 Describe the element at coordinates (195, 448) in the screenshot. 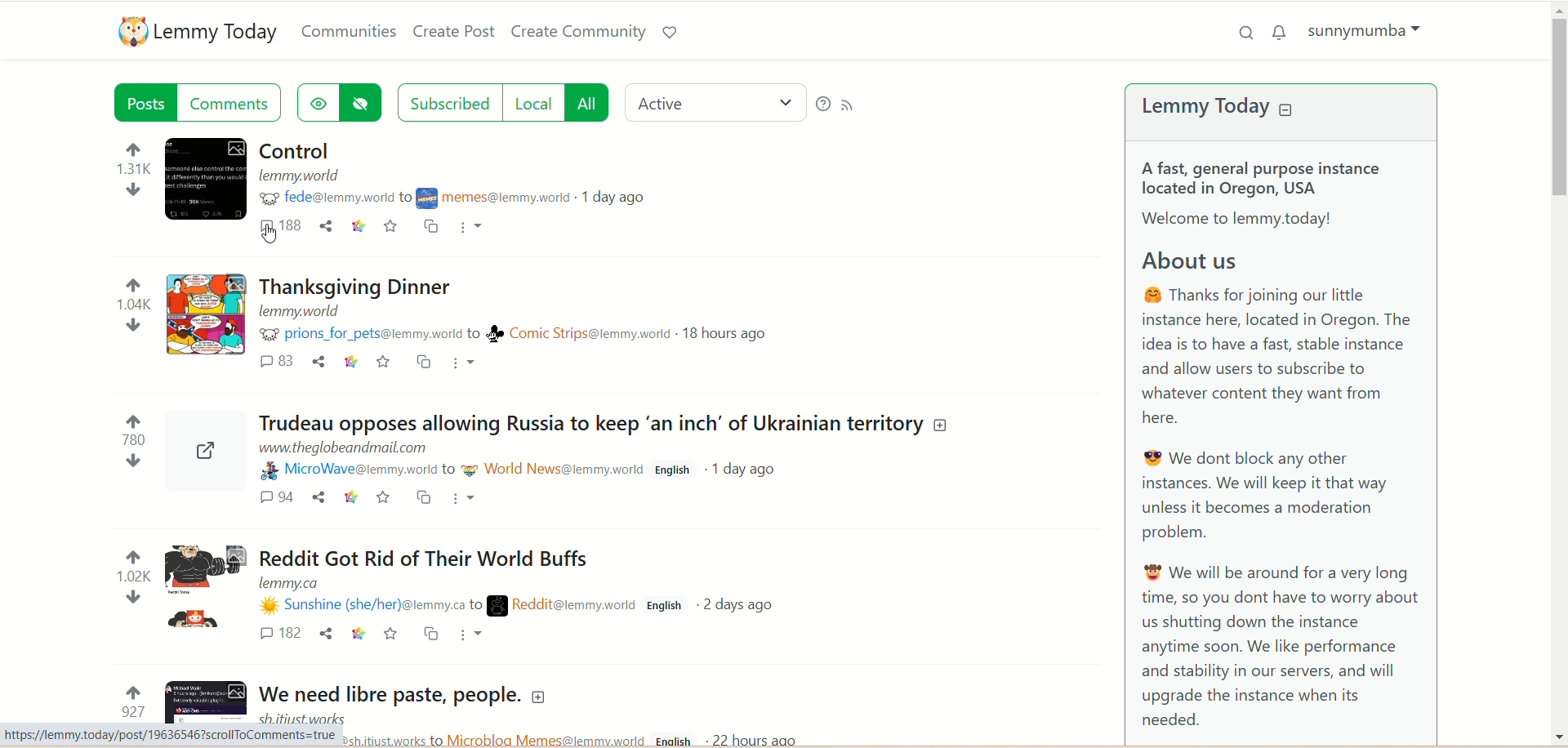

I see `Expand the post with the image details` at that location.